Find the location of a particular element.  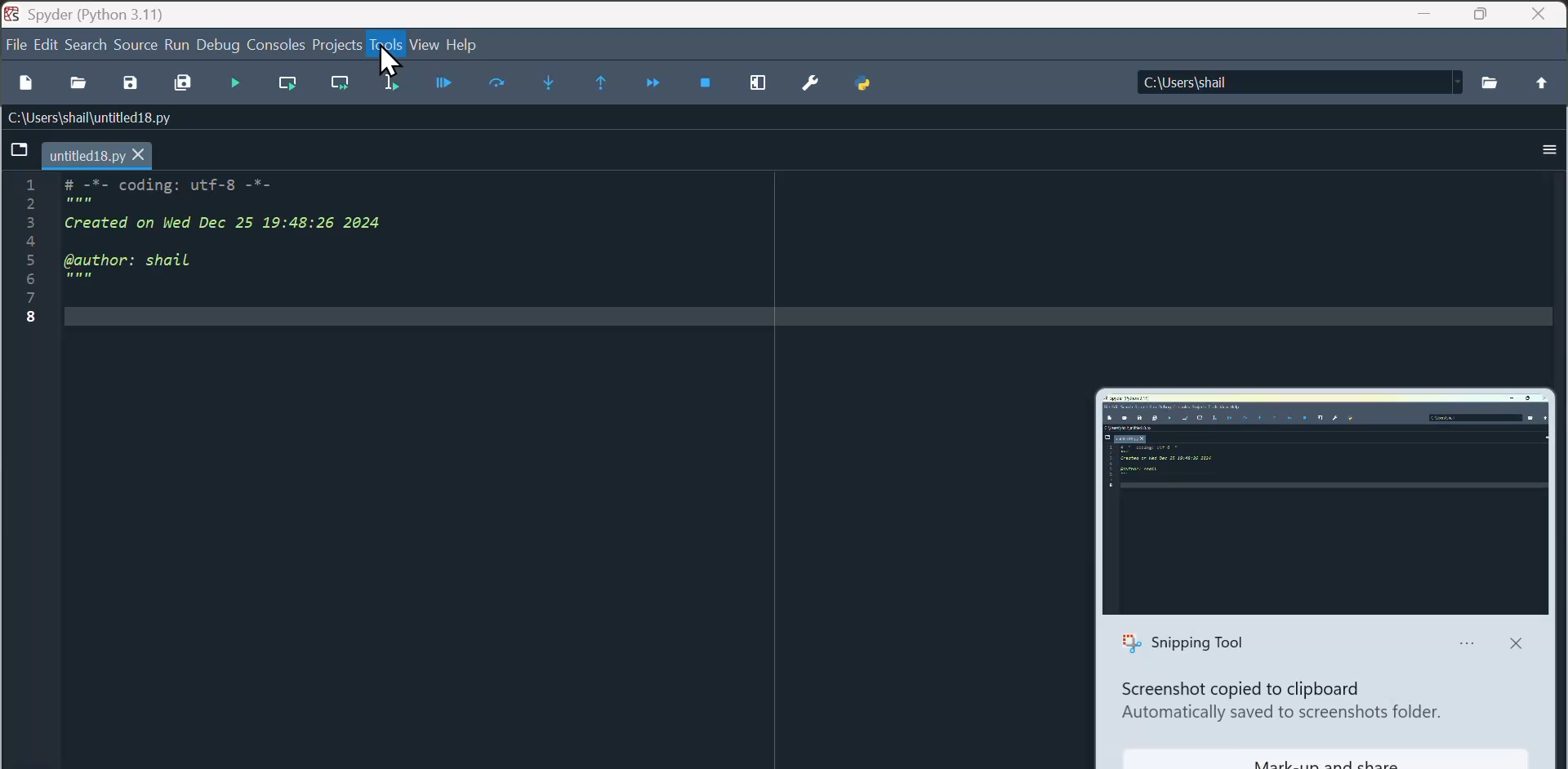

Run current sale and go to the next one is located at coordinates (341, 87).